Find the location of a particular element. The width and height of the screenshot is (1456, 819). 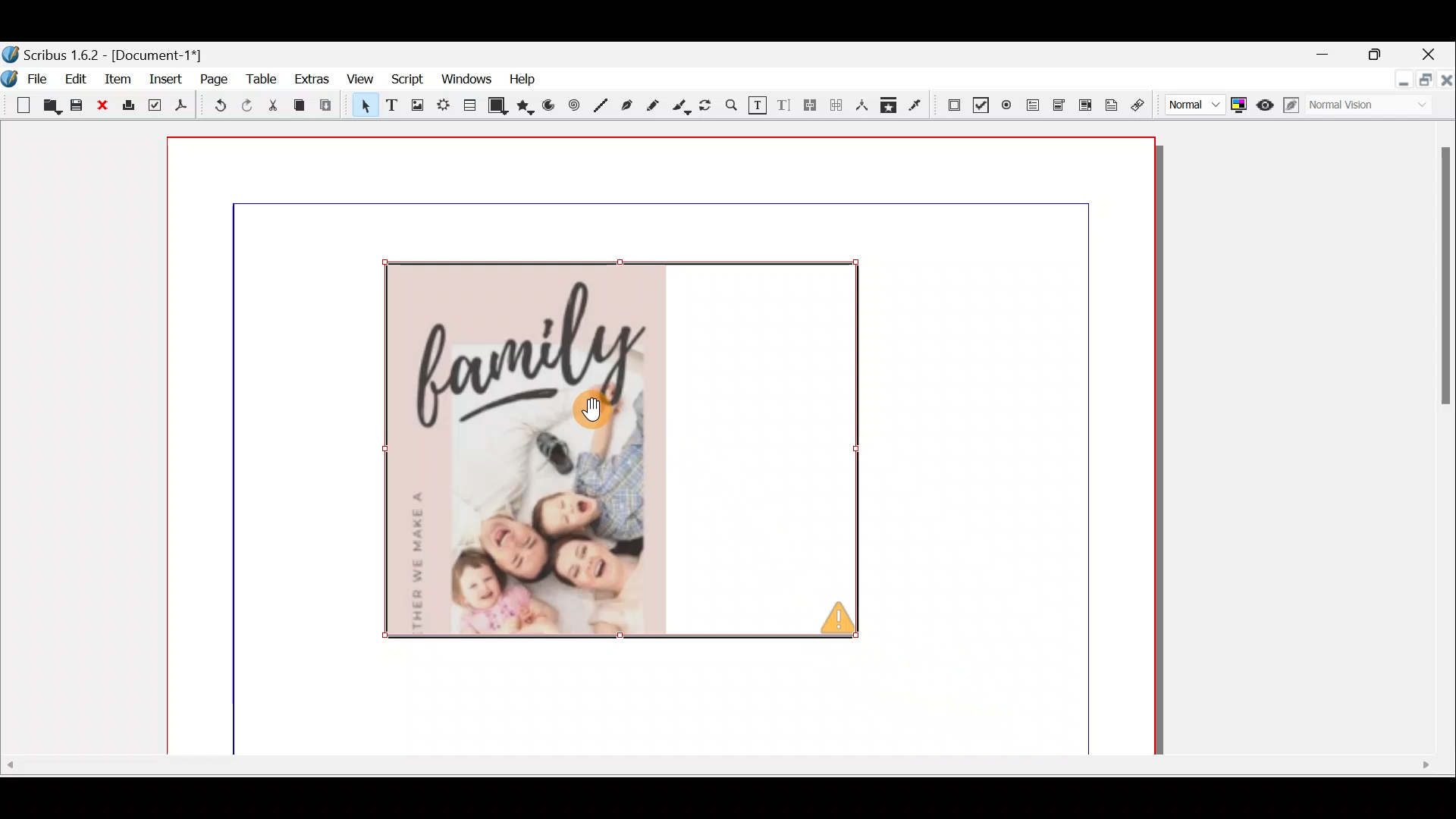

Close is located at coordinates (1433, 54).